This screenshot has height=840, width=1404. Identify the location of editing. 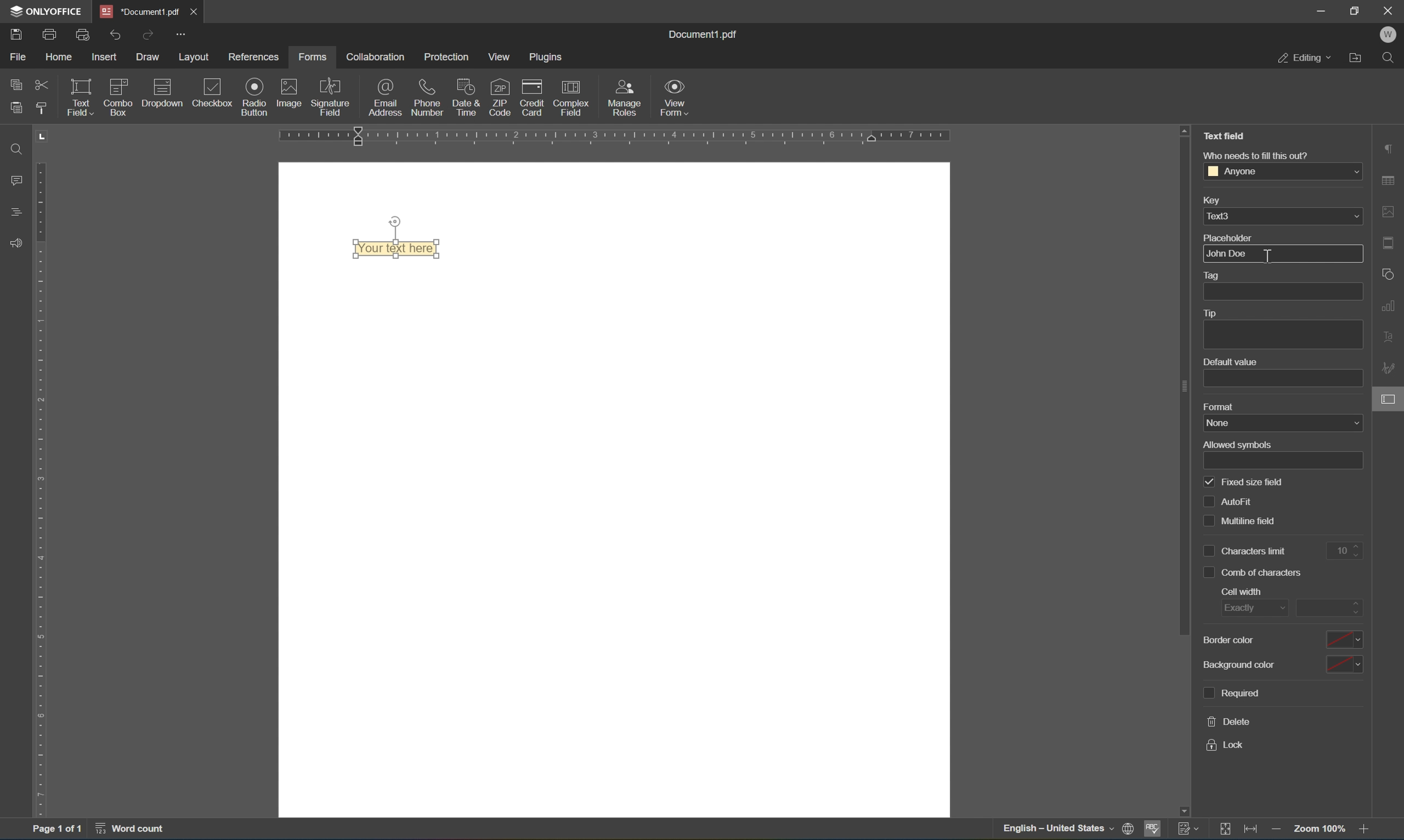
(1302, 59).